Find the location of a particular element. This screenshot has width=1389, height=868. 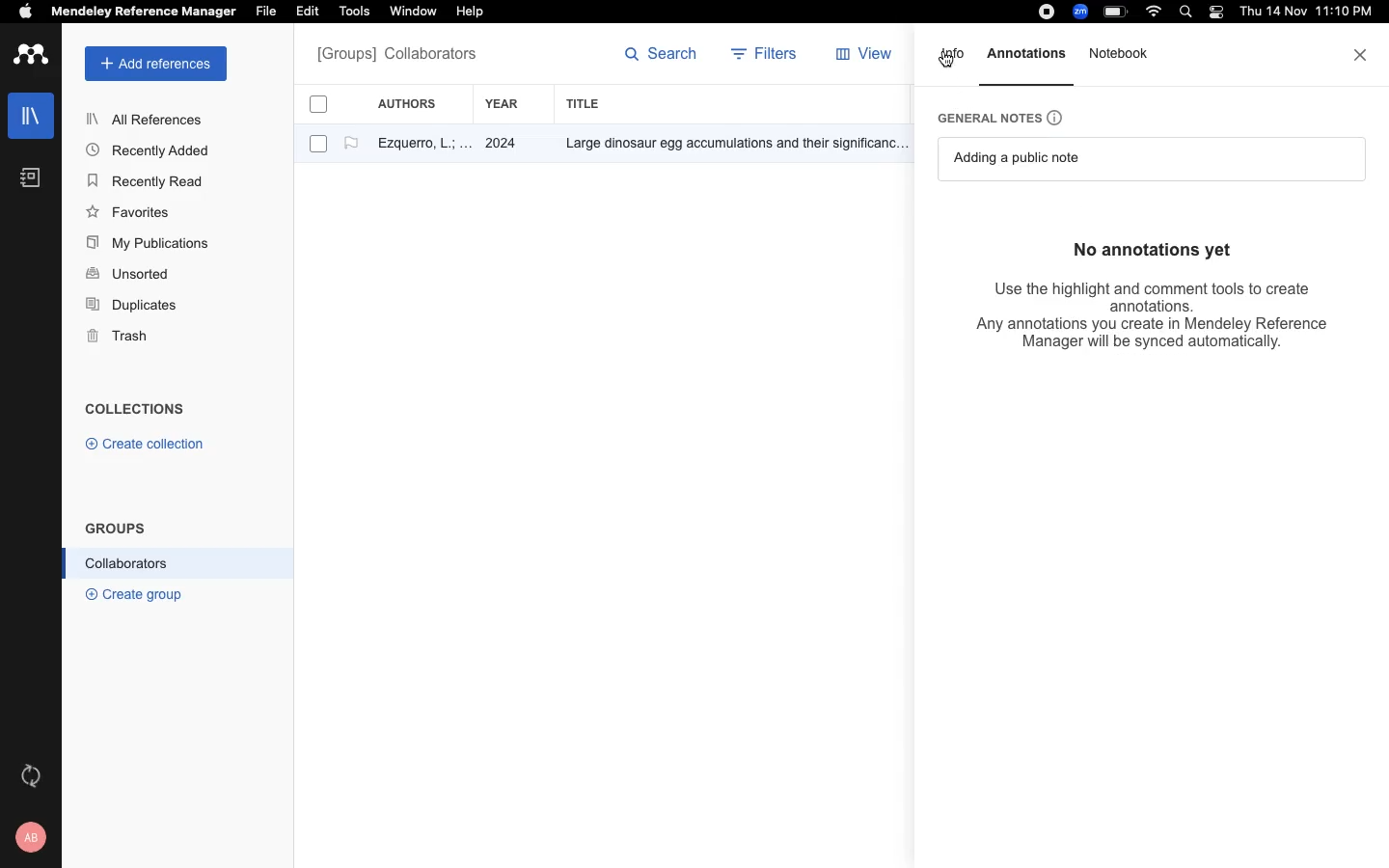

notebook is located at coordinates (1125, 56).